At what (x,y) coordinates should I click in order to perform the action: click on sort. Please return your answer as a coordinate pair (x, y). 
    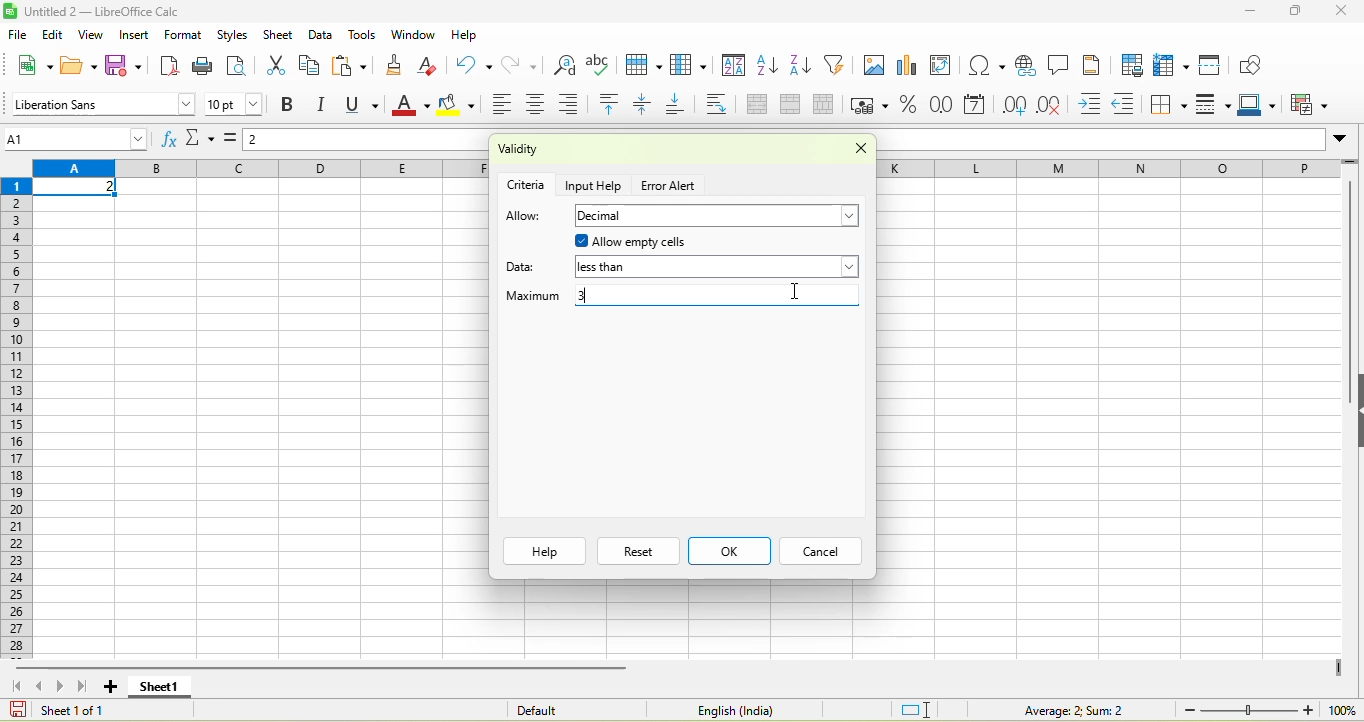
    Looking at the image, I should click on (734, 68).